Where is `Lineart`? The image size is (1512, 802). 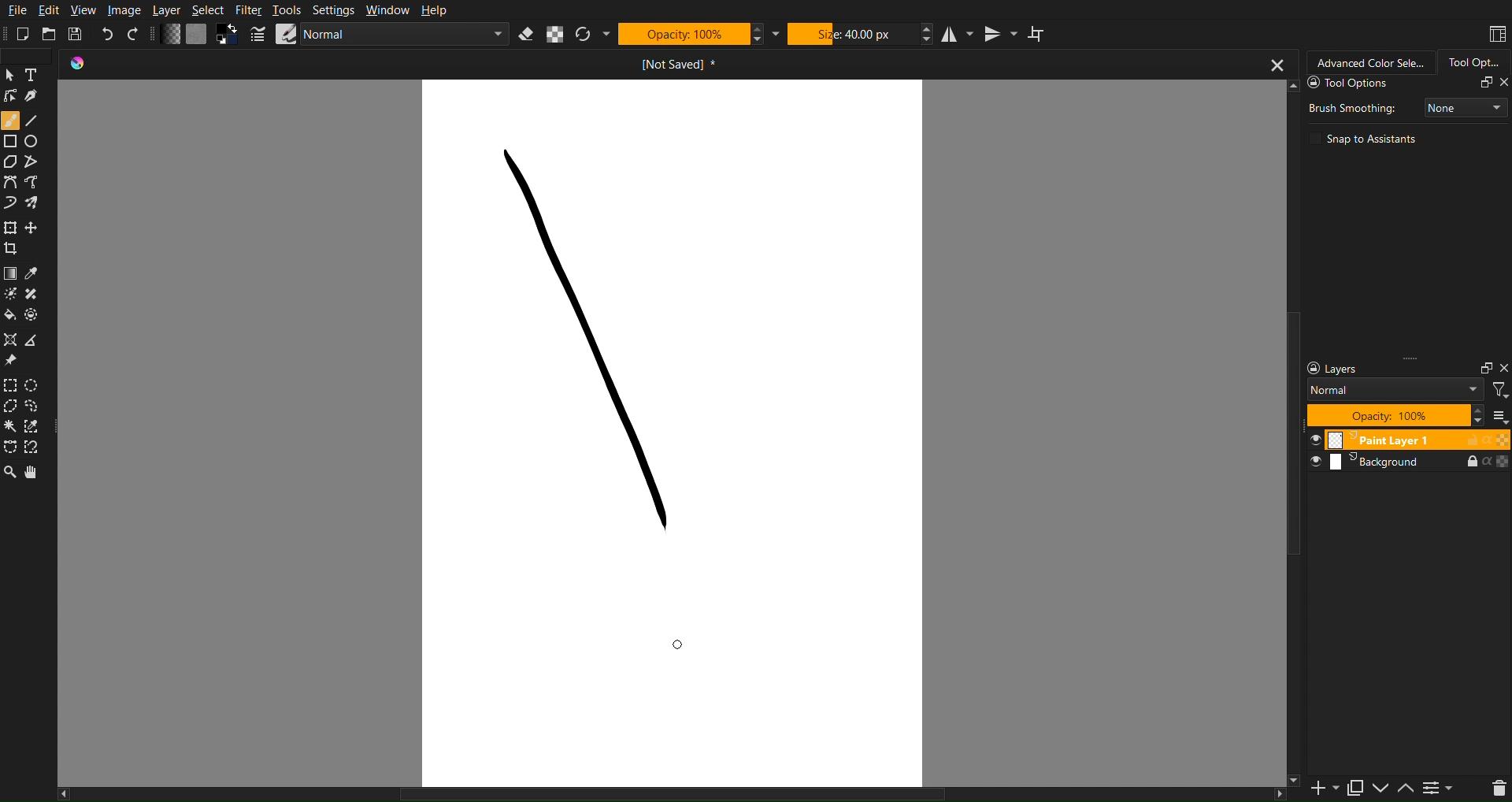 Lineart is located at coordinates (37, 98).